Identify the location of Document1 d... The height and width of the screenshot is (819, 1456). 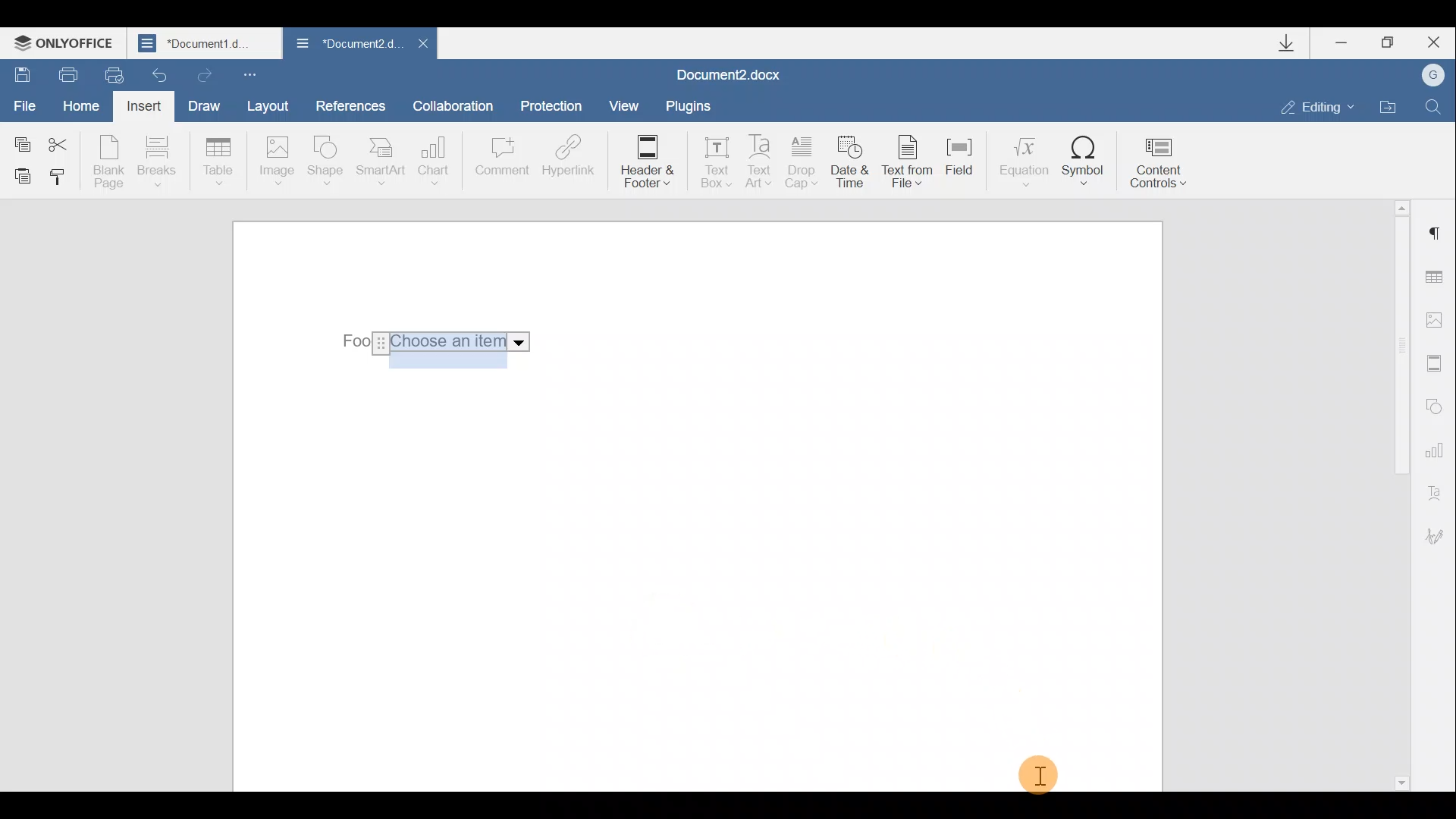
(206, 42).